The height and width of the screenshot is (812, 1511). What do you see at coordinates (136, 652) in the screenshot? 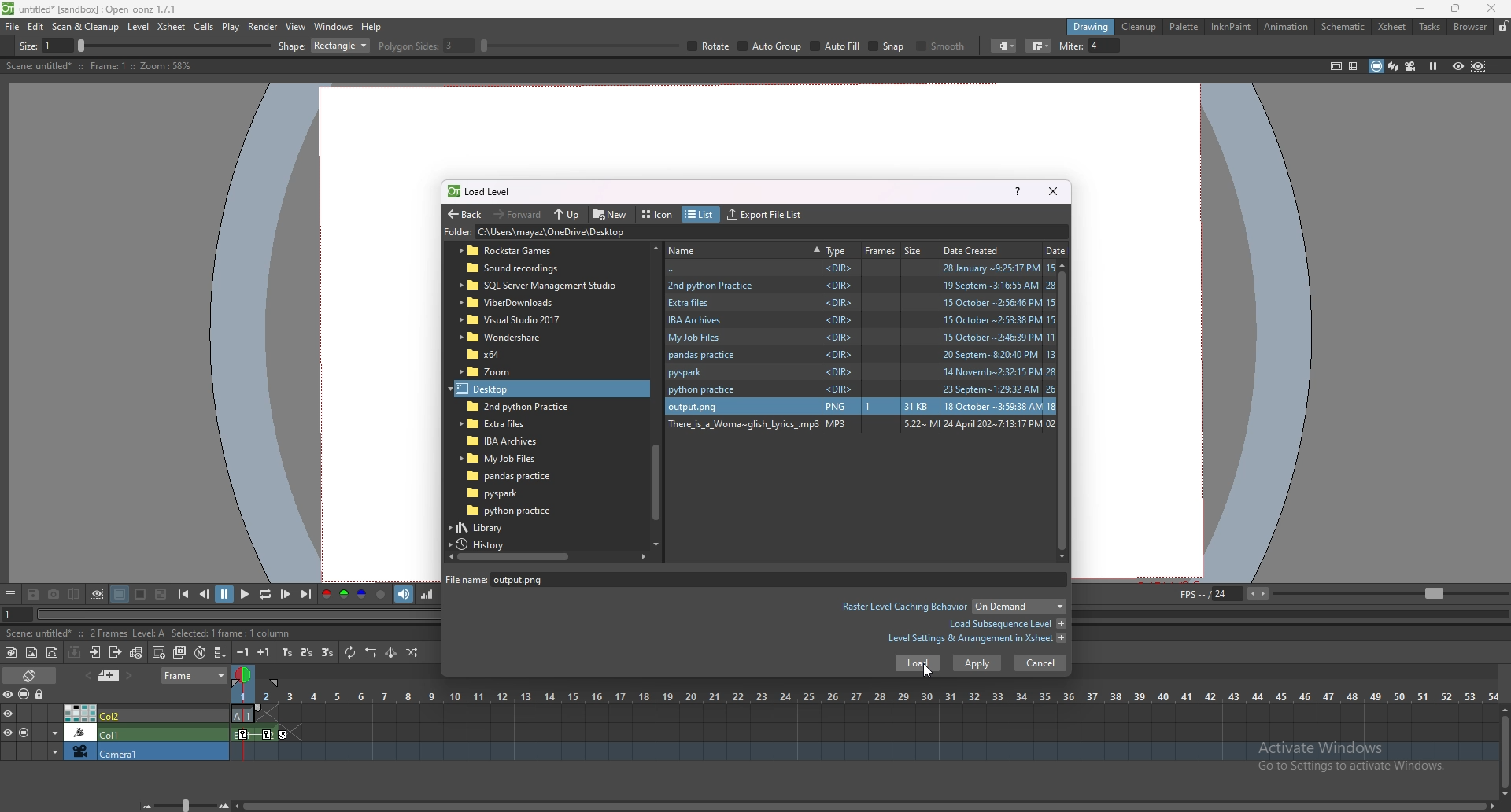
I see `toggle edit in place` at bounding box center [136, 652].